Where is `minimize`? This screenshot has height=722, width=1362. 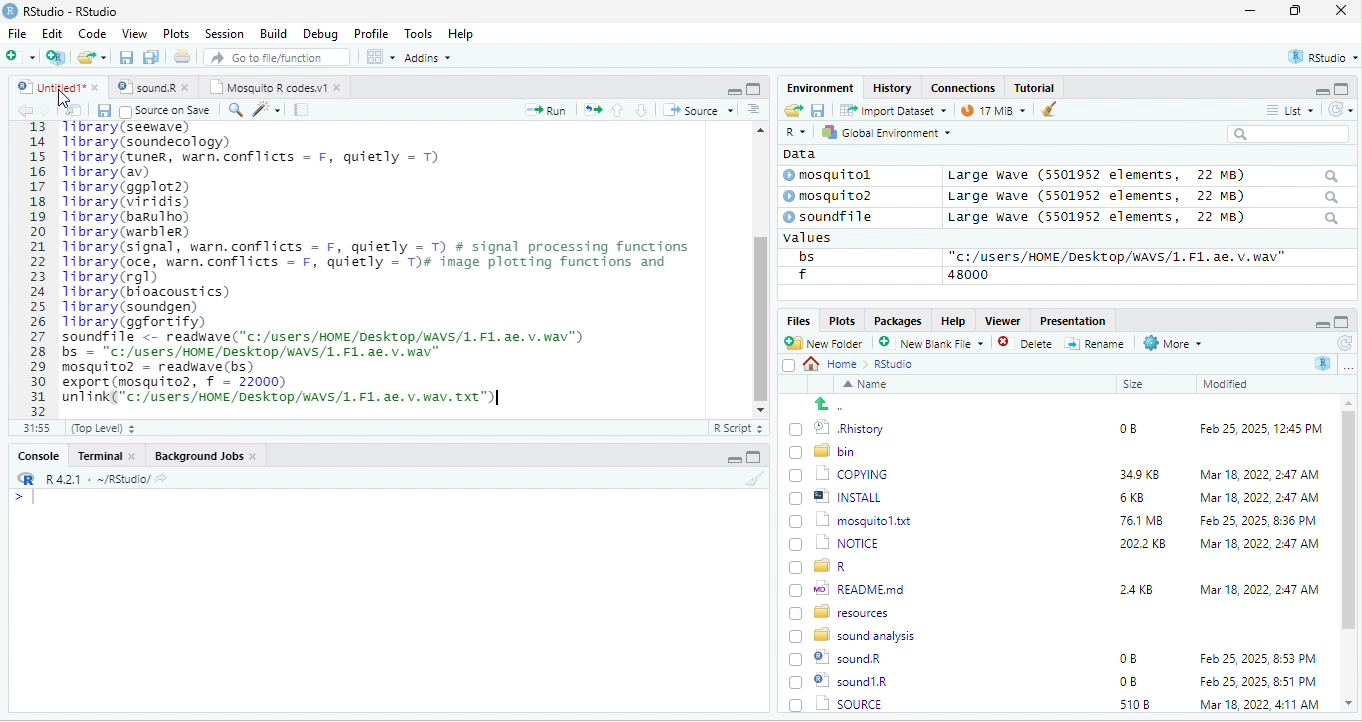
minimize is located at coordinates (1320, 323).